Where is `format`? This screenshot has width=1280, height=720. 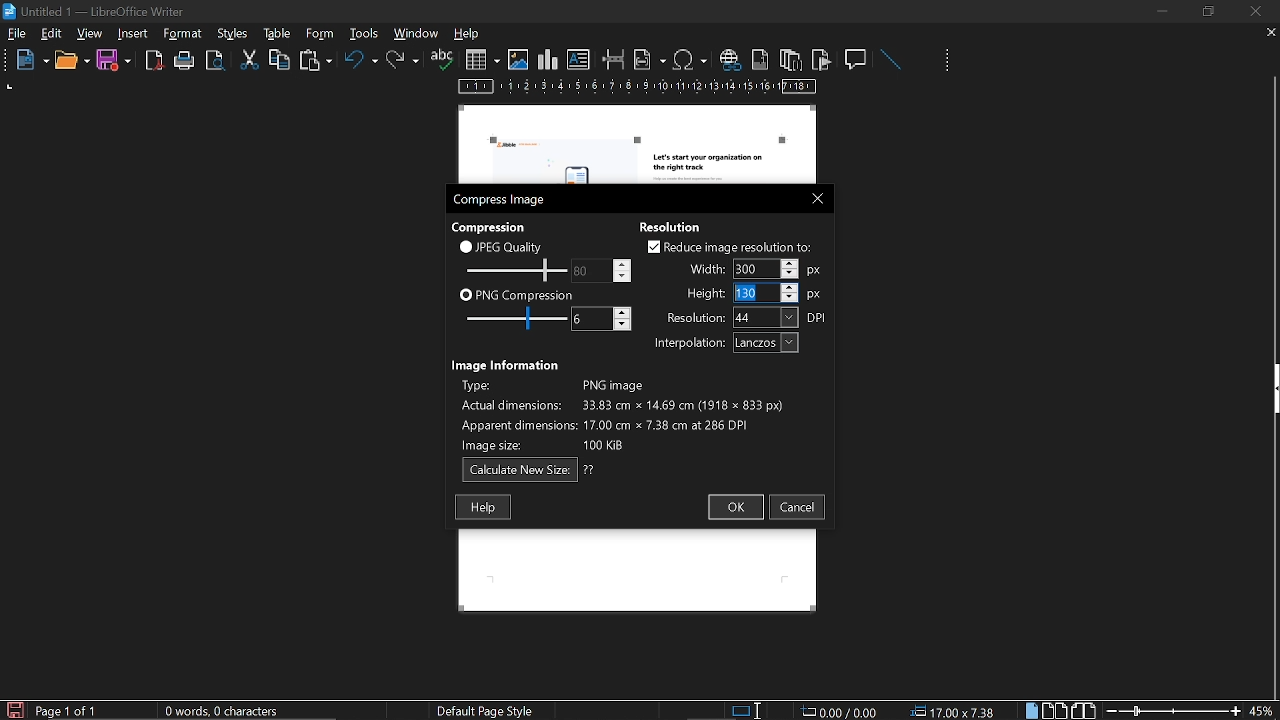 format is located at coordinates (231, 32).